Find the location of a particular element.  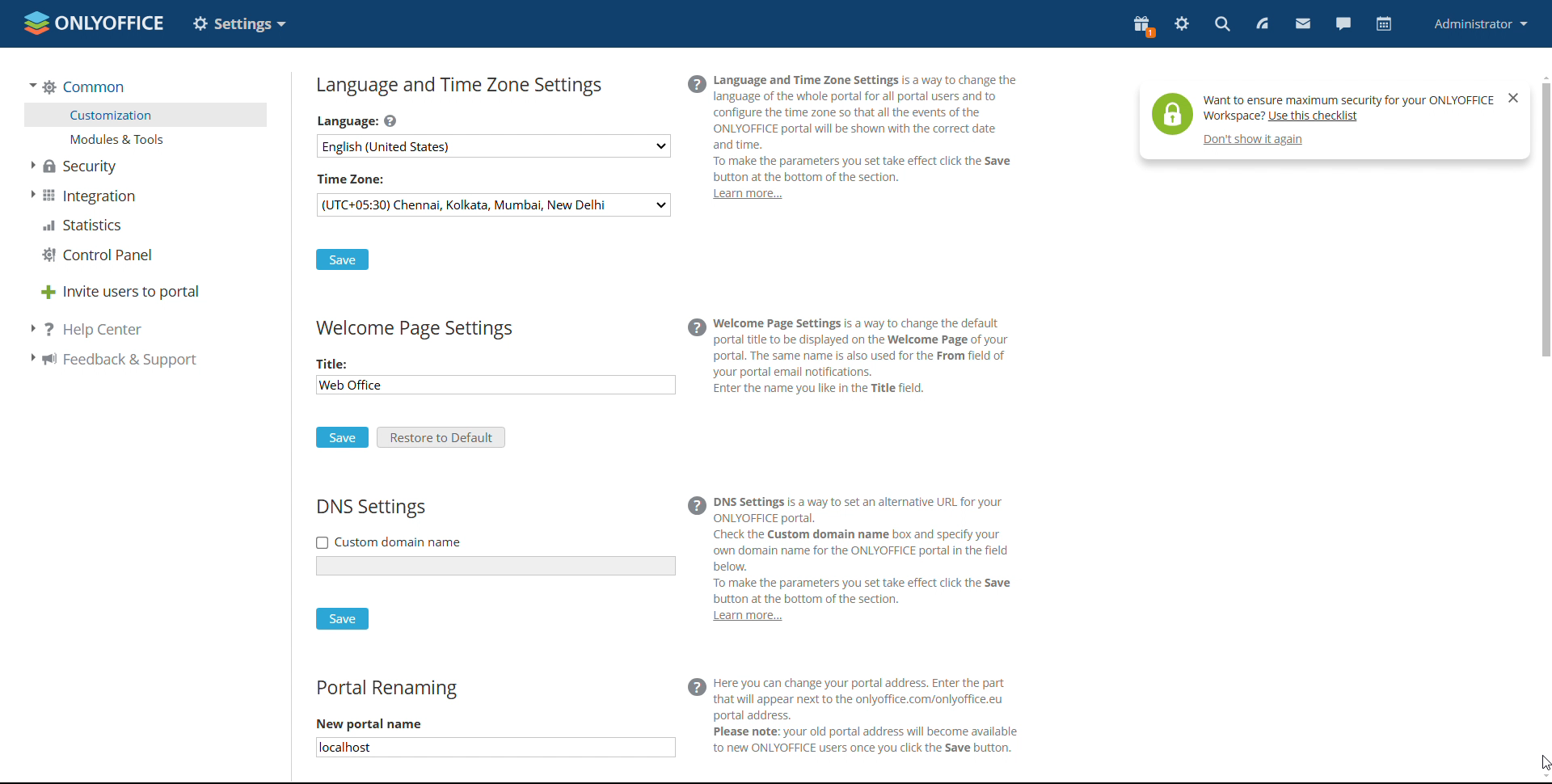

onlyoffice logo is located at coordinates (36, 25).